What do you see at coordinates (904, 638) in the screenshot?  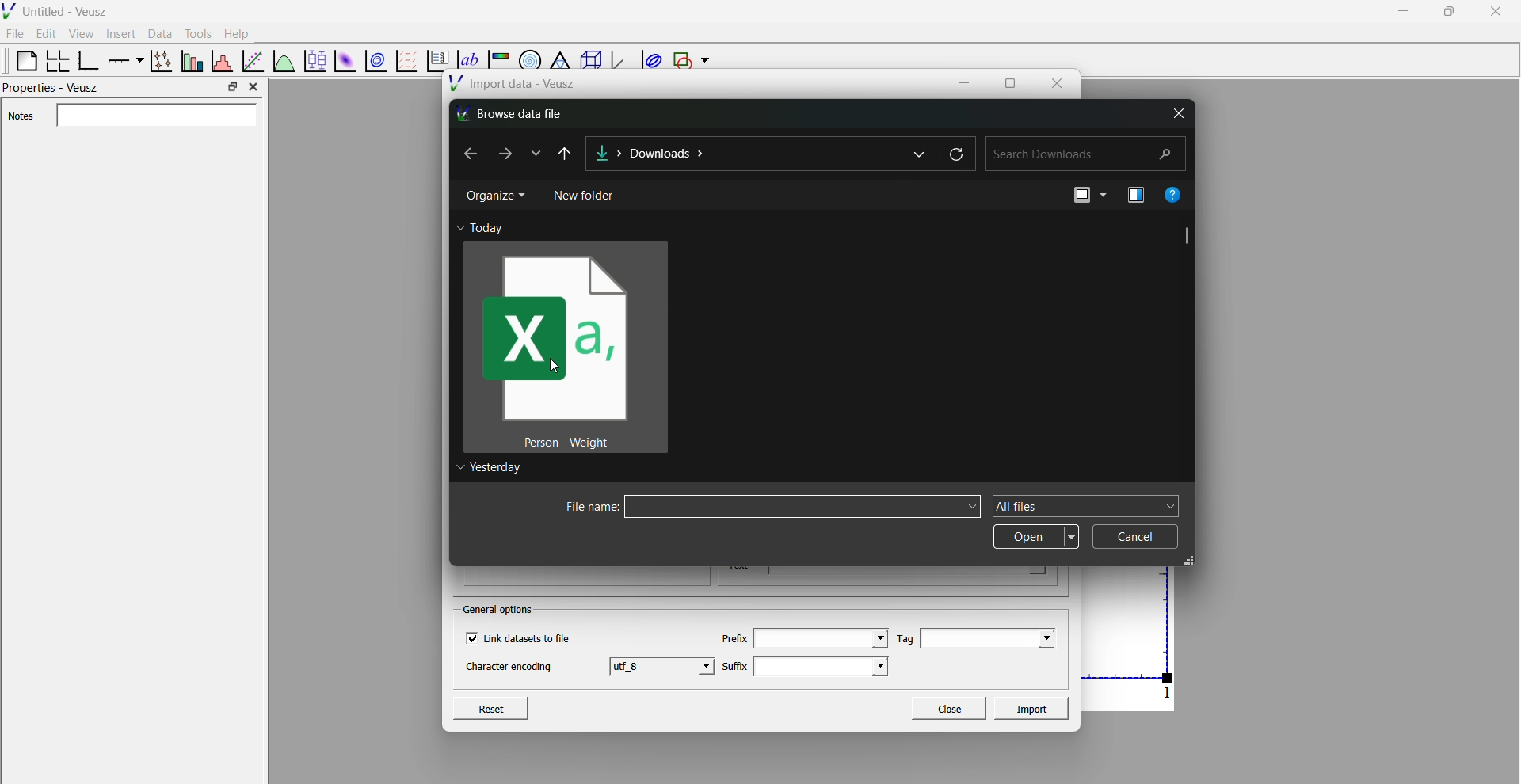 I see `Tag` at bounding box center [904, 638].